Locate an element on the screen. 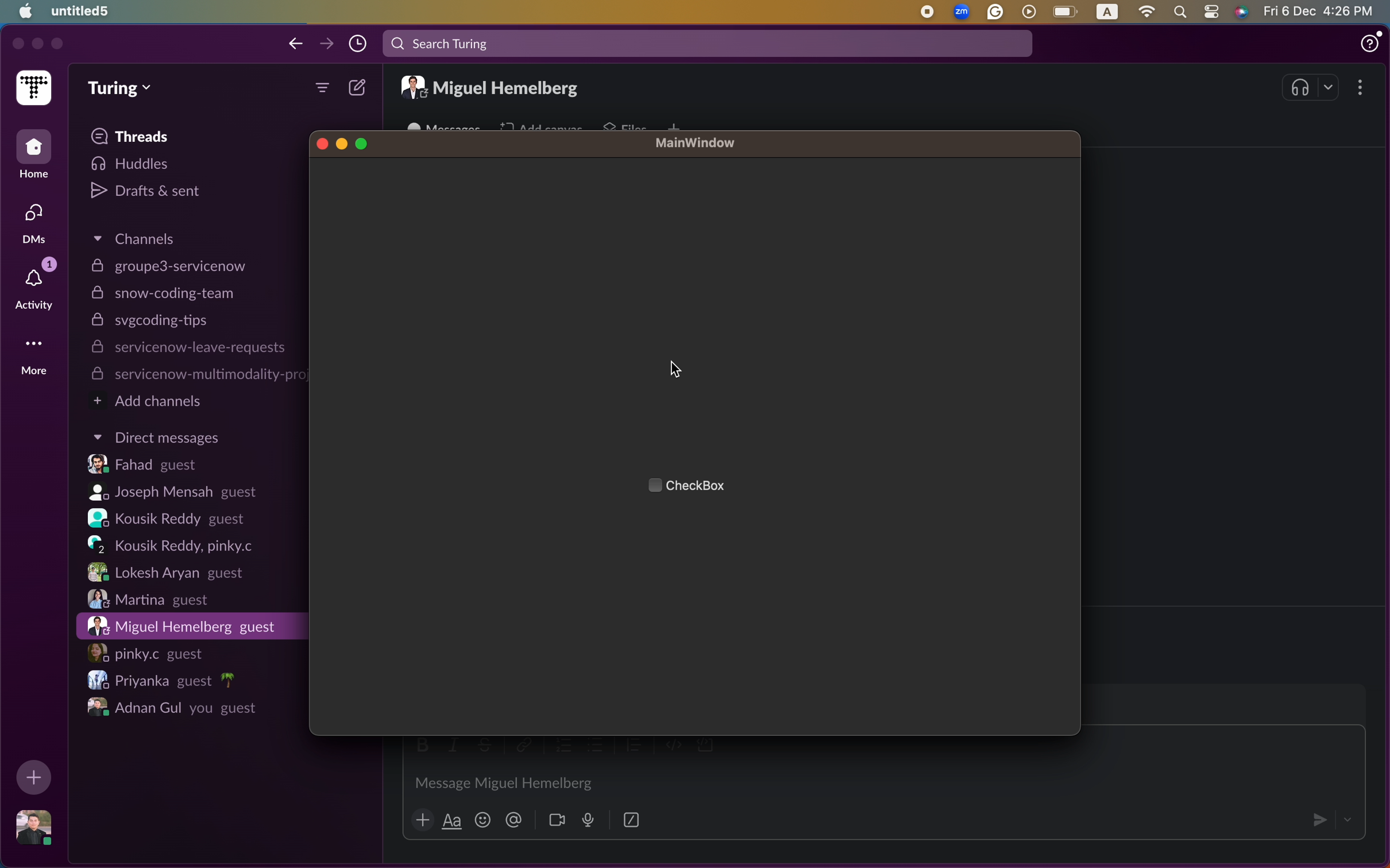 The width and height of the screenshot is (1390, 868). back is located at coordinates (295, 44).